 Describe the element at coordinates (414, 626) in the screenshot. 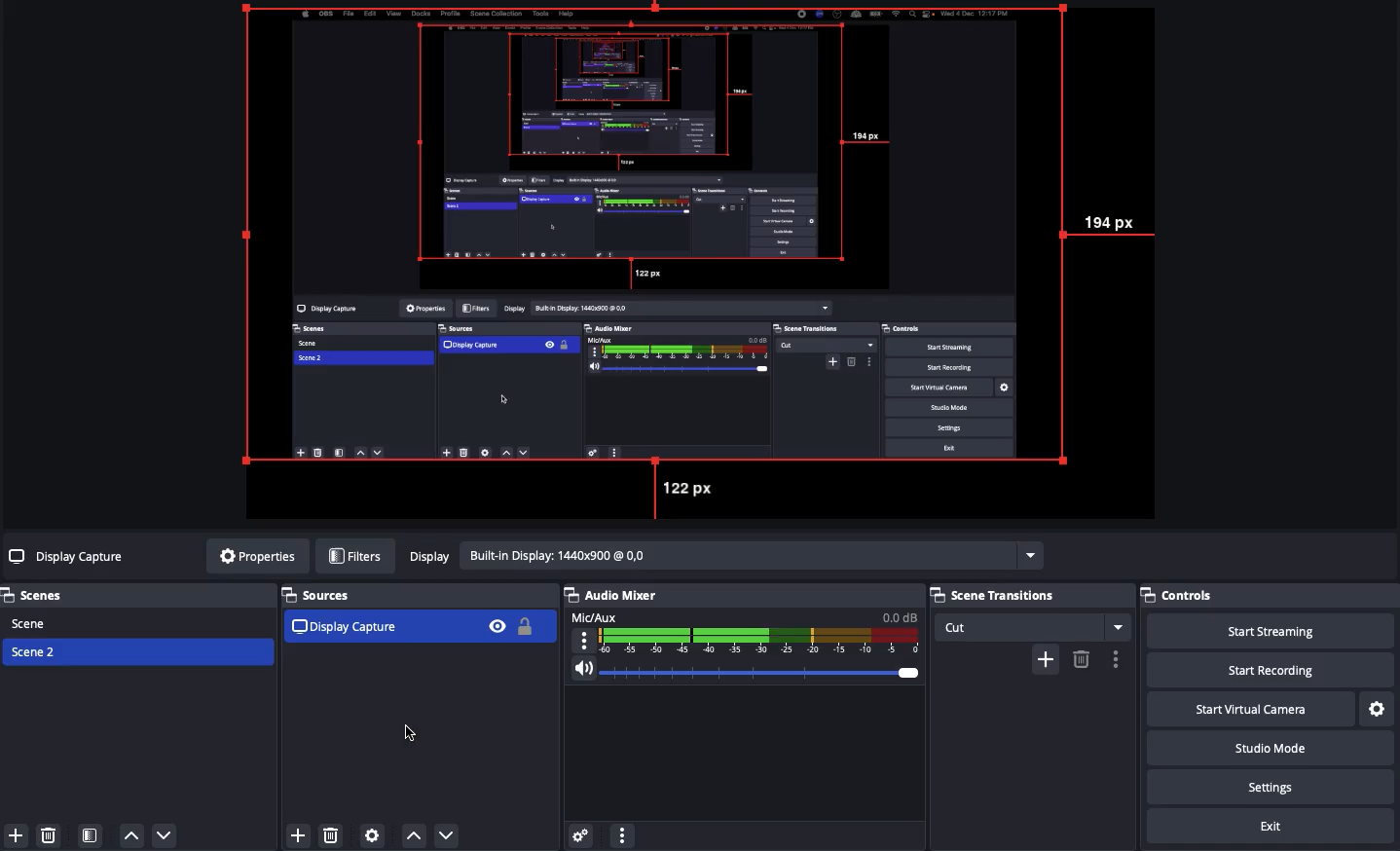

I see `Pasted` at that location.